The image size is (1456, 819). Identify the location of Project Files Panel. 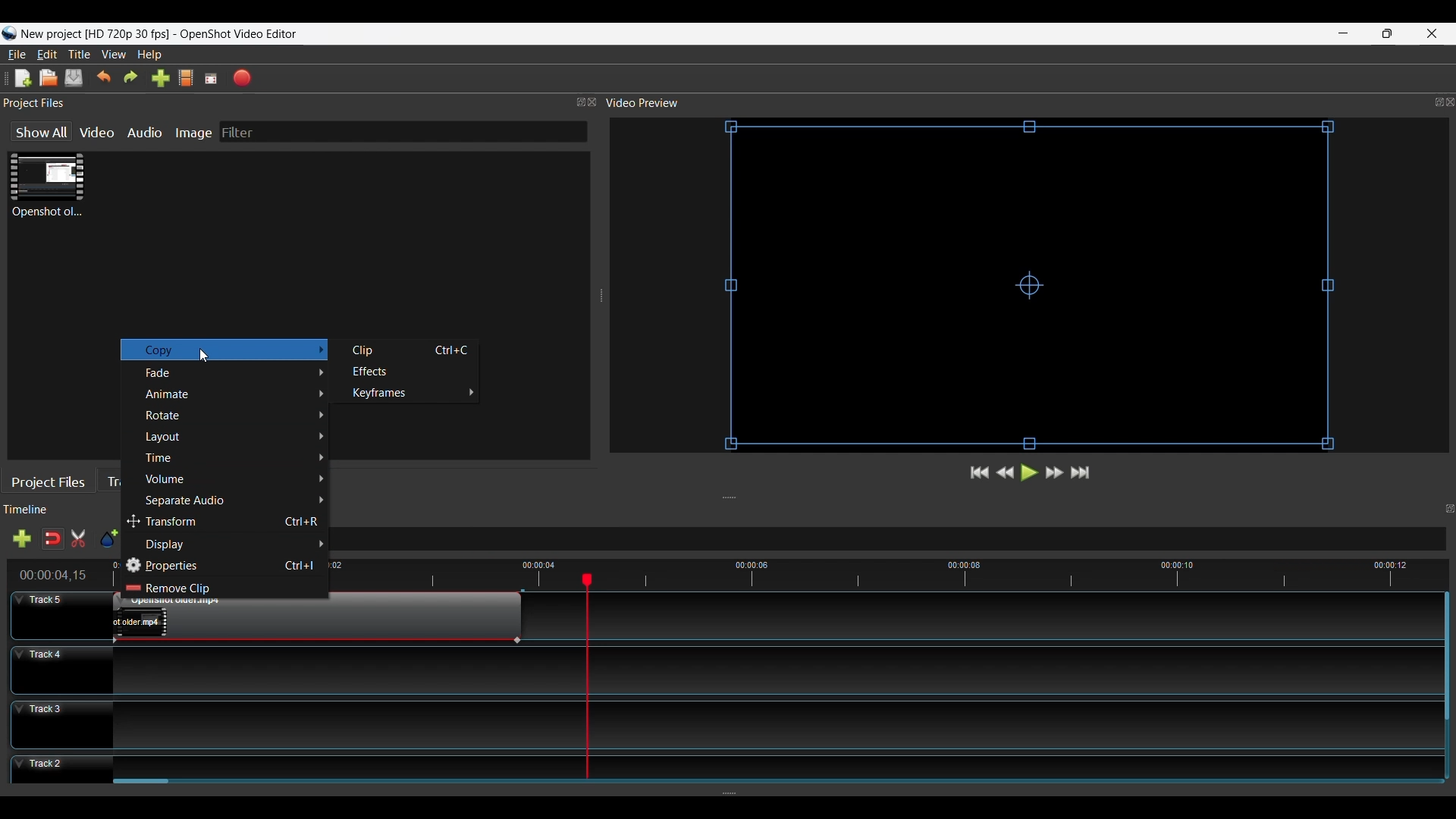
(300, 103).